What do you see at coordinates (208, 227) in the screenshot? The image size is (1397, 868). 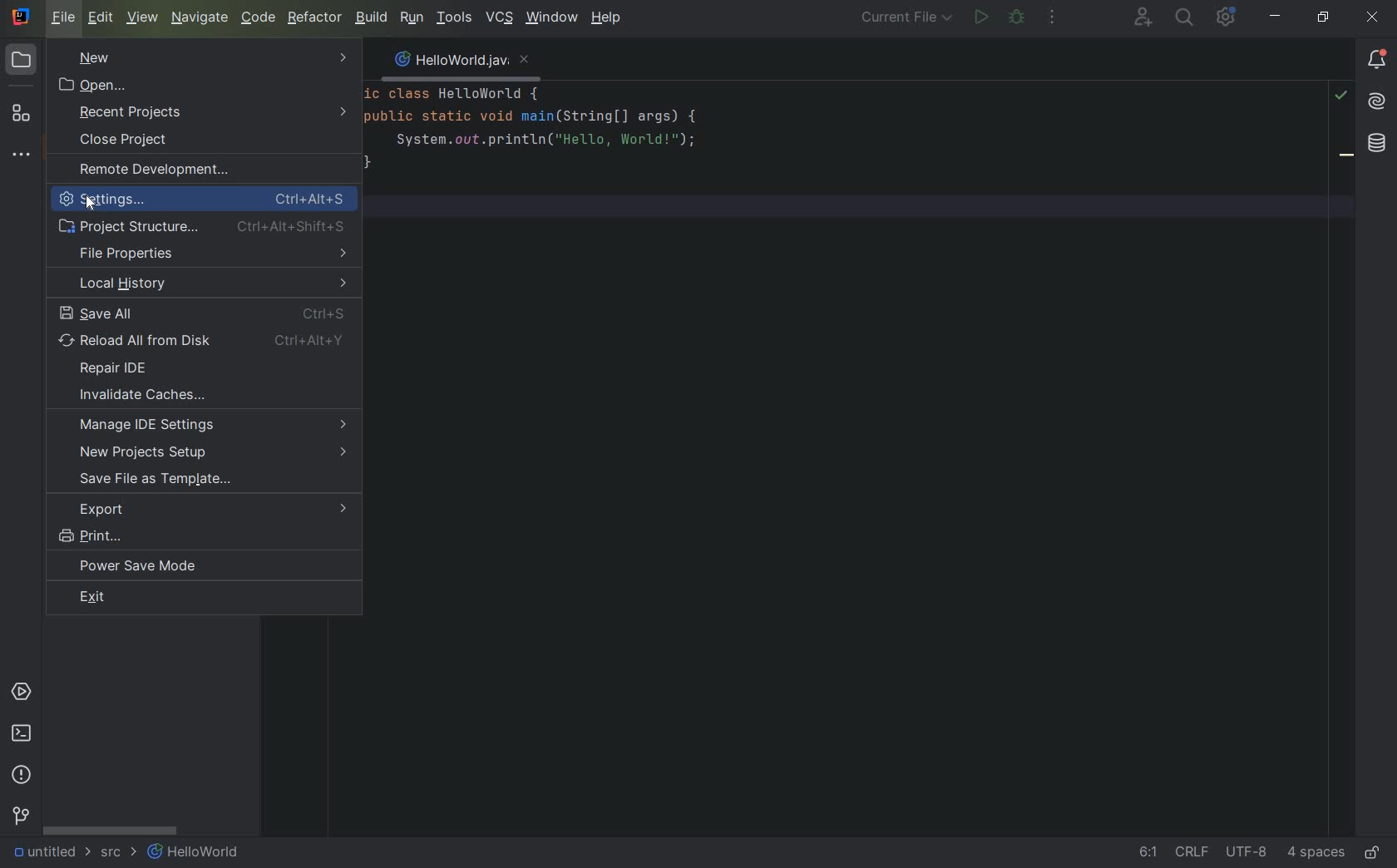 I see `project structure` at bounding box center [208, 227].